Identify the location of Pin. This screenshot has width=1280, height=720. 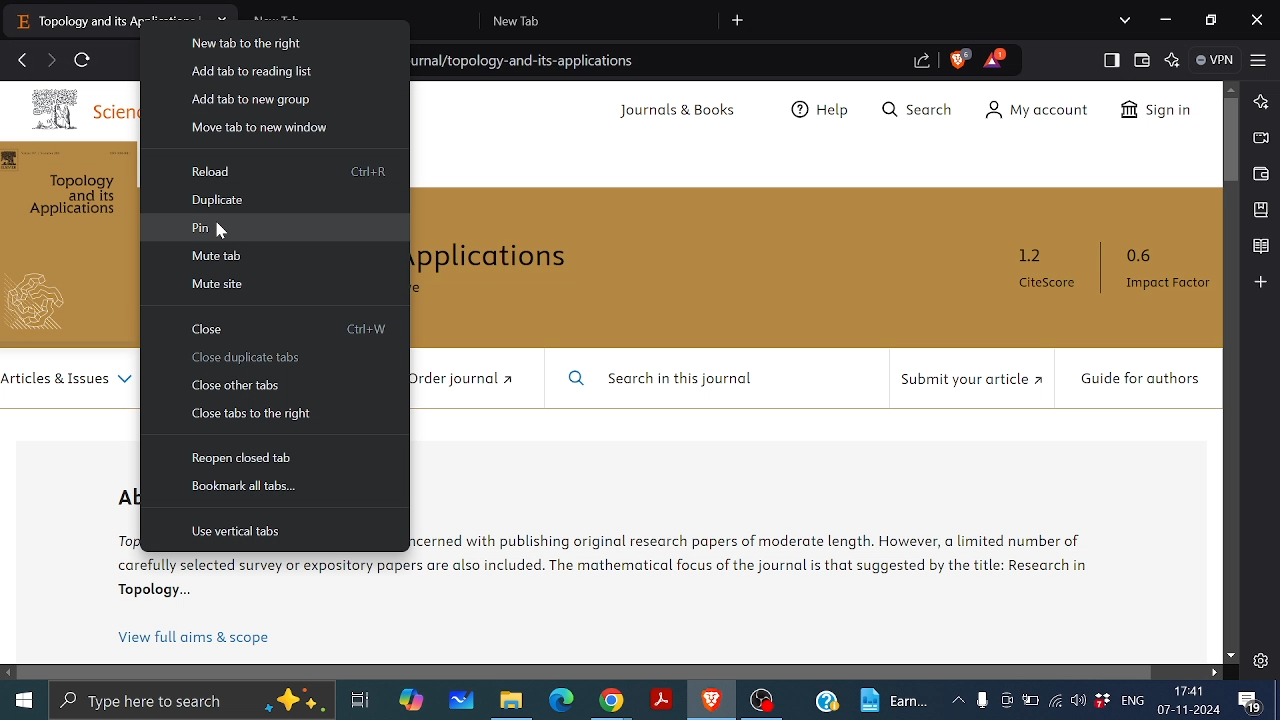
(210, 229).